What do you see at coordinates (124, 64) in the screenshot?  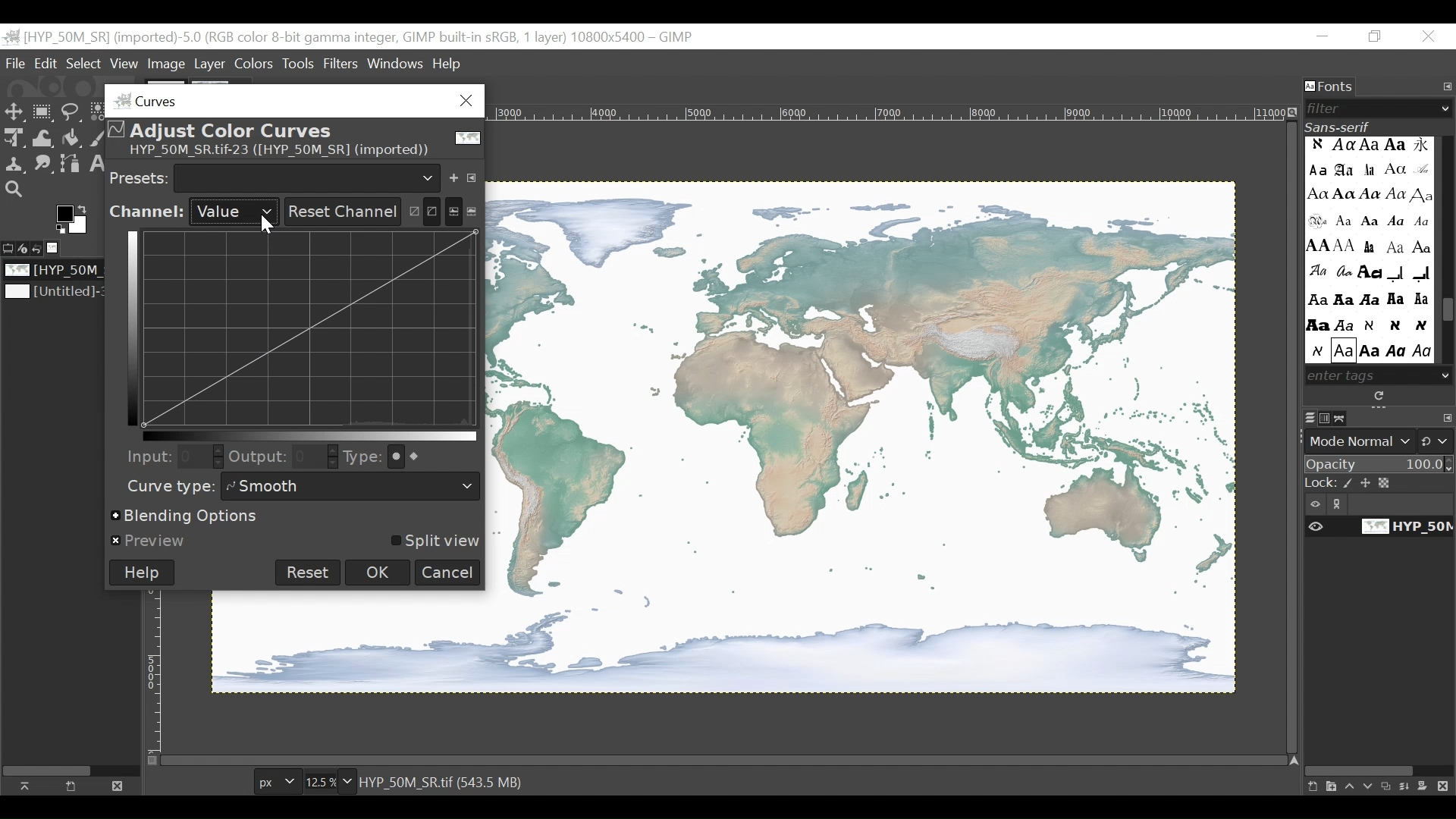 I see `View` at bounding box center [124, 64].